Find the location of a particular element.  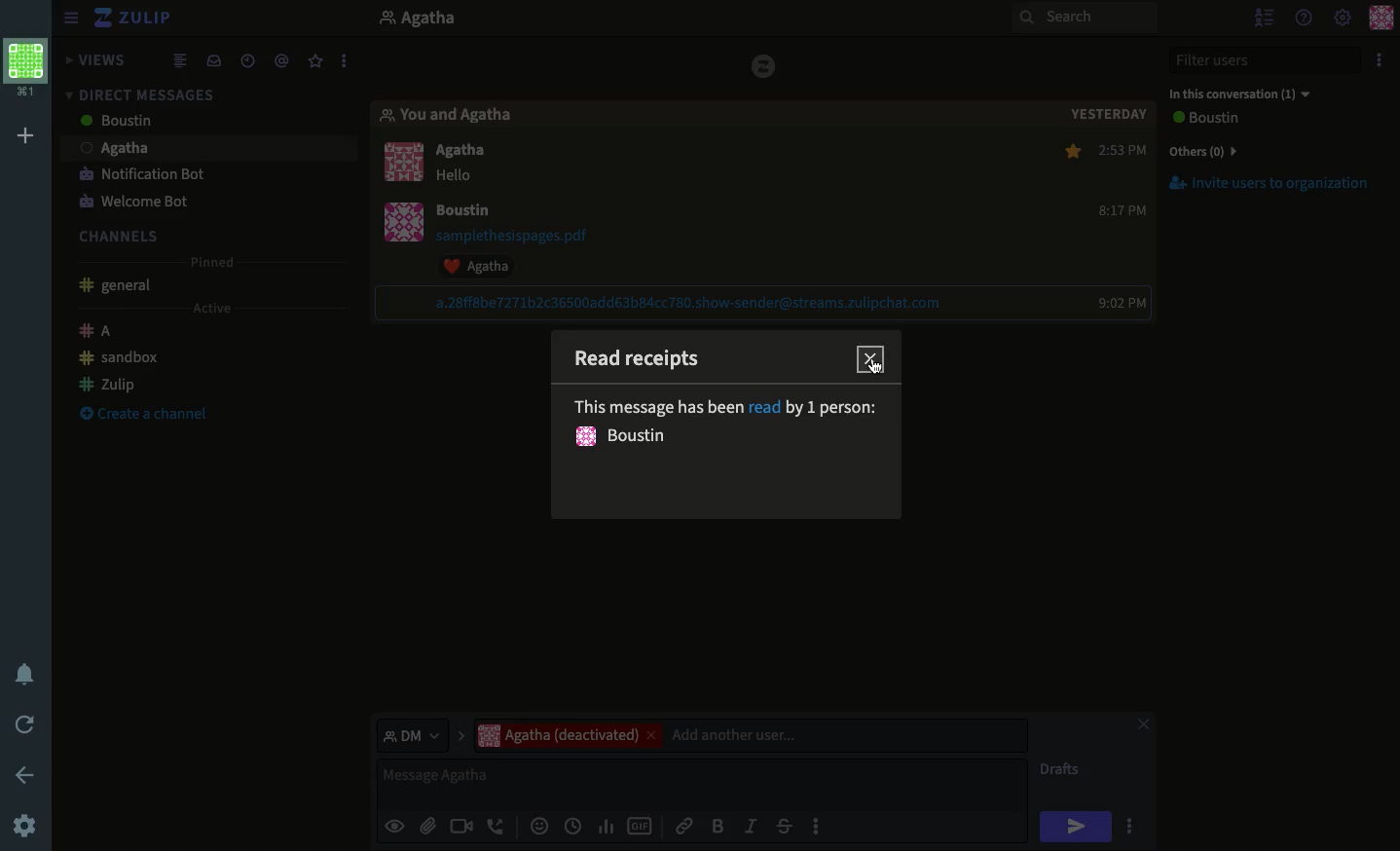

Italics is located at coordinates (751, 825).